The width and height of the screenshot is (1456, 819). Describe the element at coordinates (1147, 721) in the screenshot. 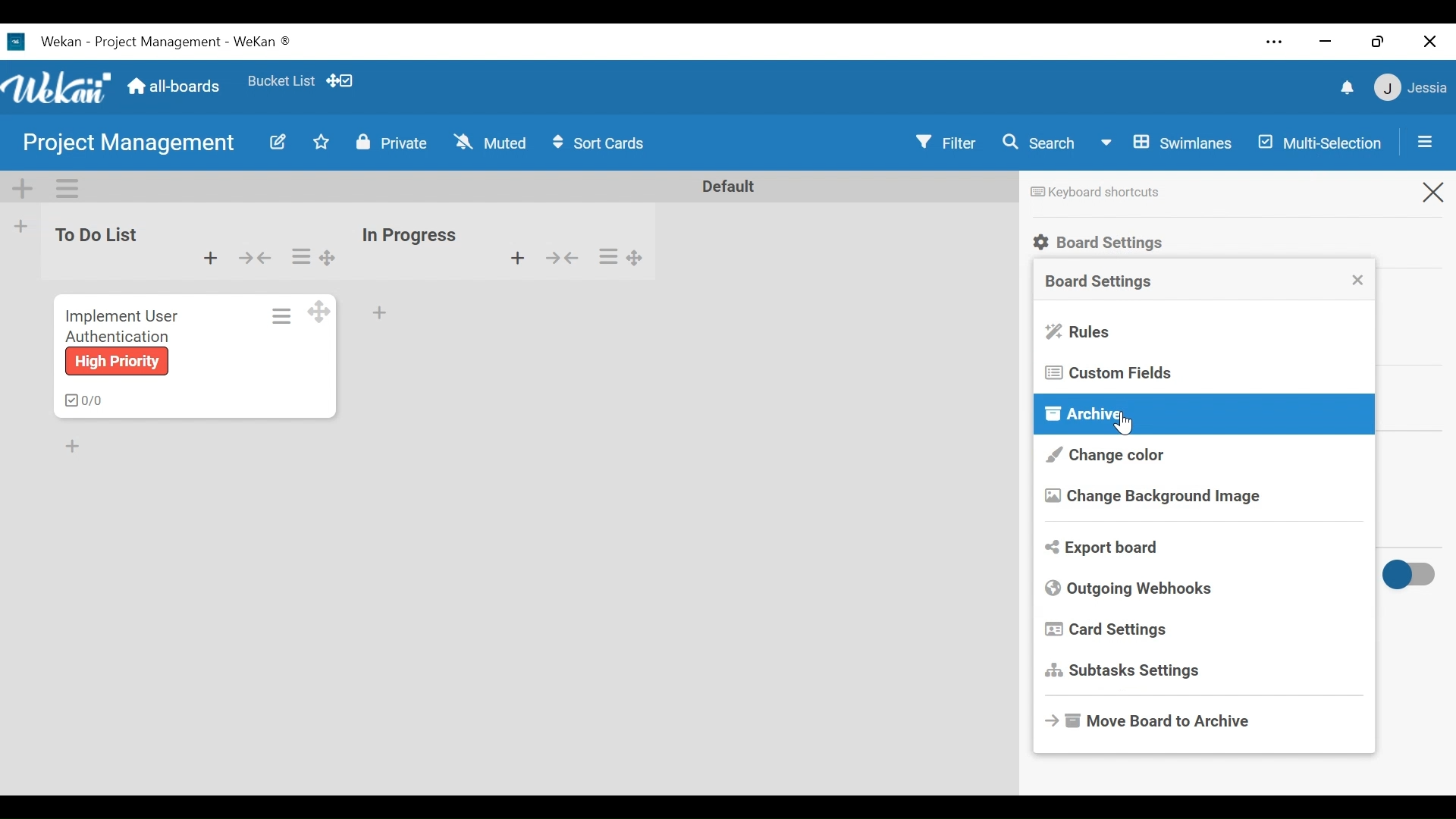

I see `Move Board to Archive` at that location.